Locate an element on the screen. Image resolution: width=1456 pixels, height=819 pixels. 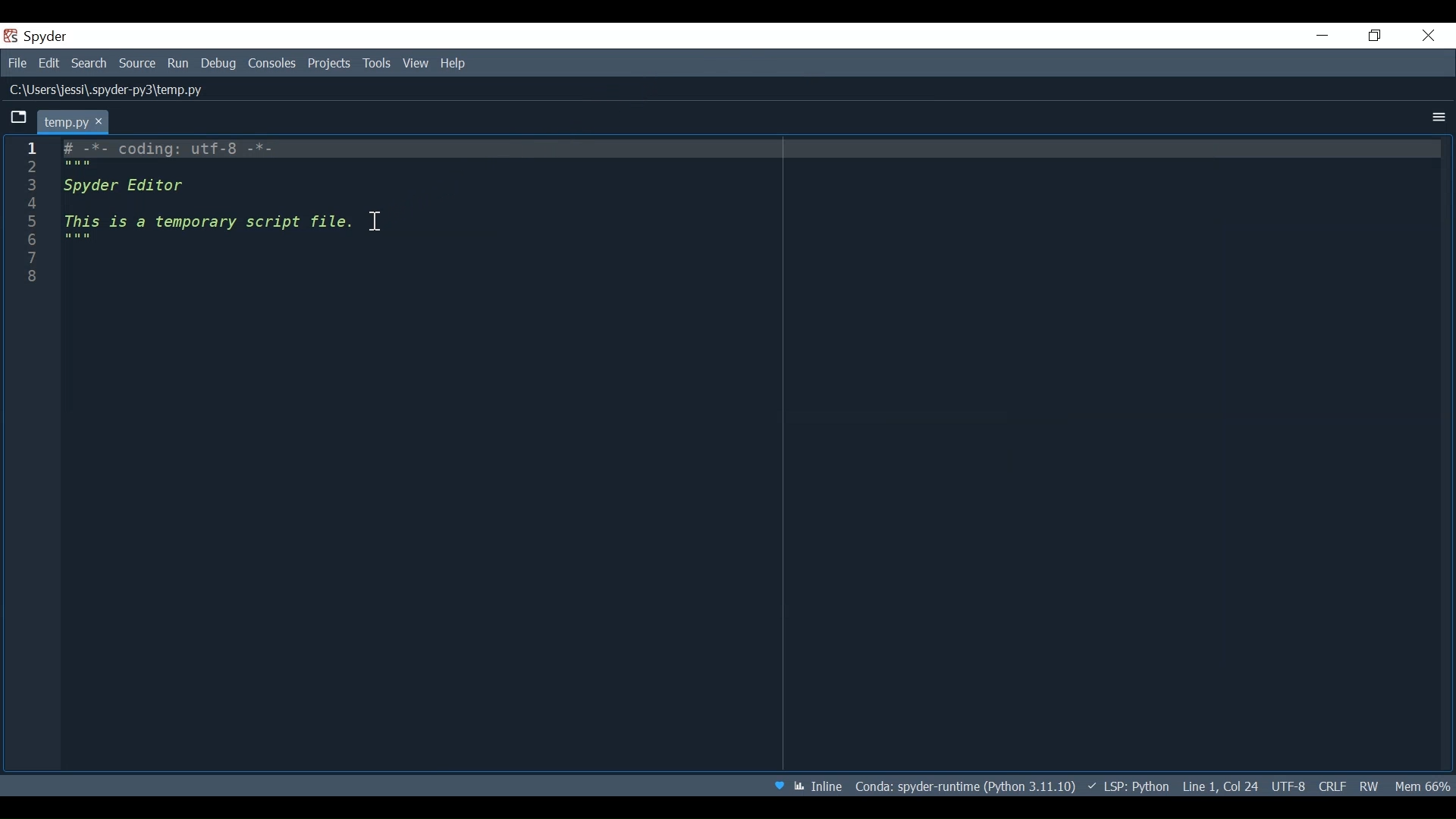
Debug is located at coordinates (221, 64).